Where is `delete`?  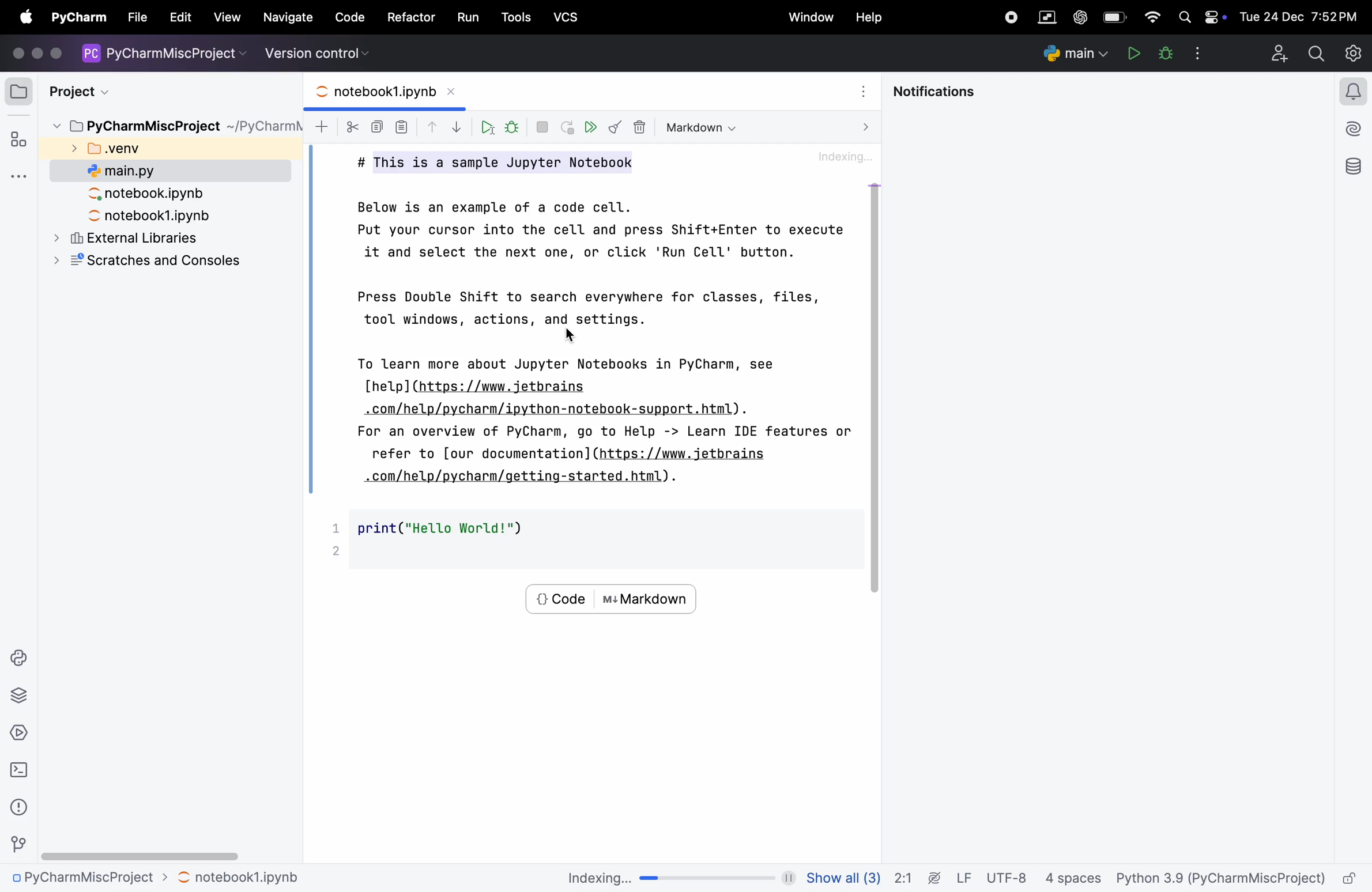 delete is located at coordinates (642, 126).